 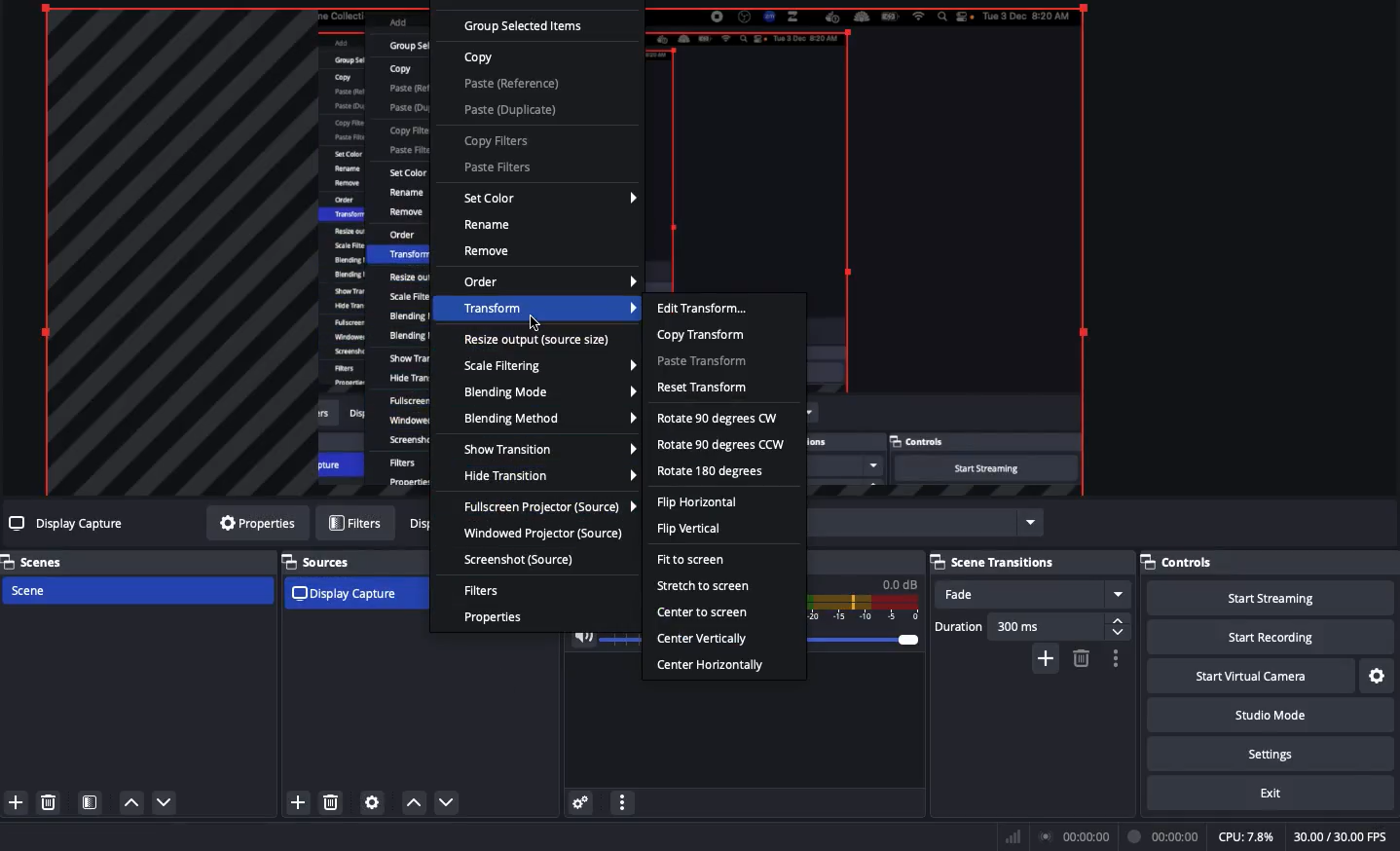 What do you see at coordinates (704, 309) in the screenshot?
I see `Edit transform` at bounding box center [704, 309].